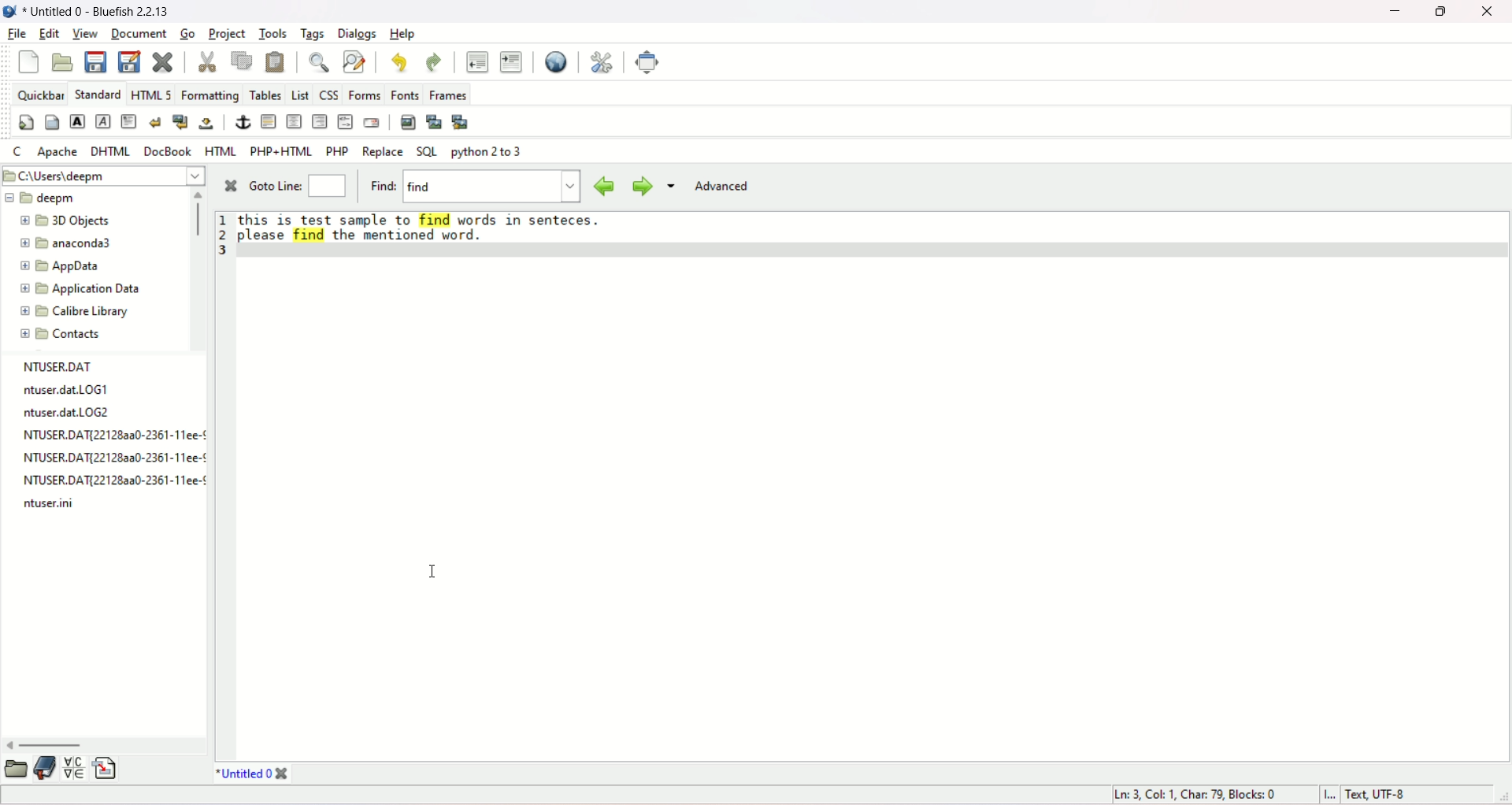 The height and width of the screenshot is (805, 1512). Describe the element at coordinates (84, 34) in the screenshot. I see `view` at that location.